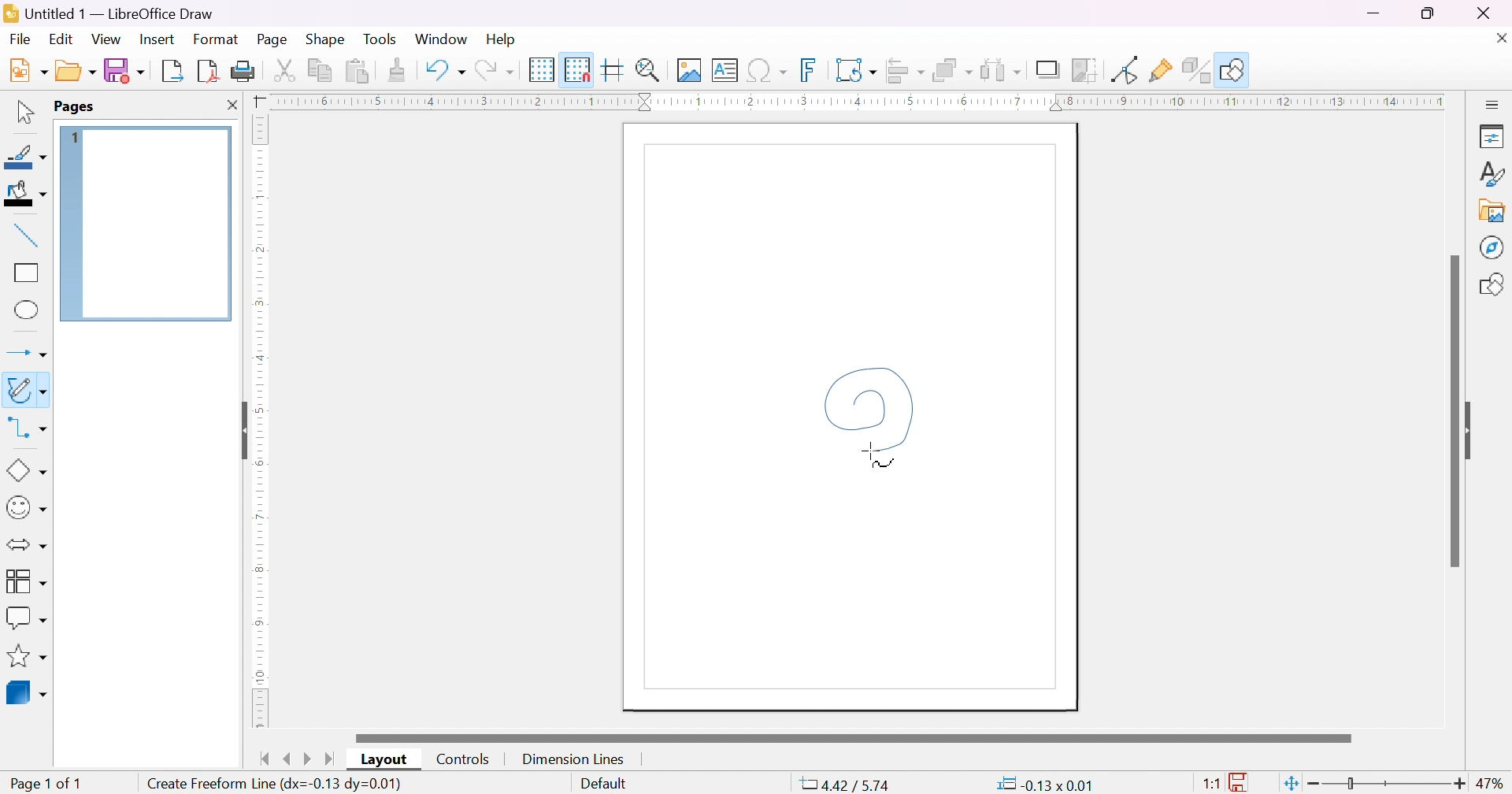  What do you see at coordinates (78, 70) in the screenshot?
I see `open` at bounding box center [78, 70].